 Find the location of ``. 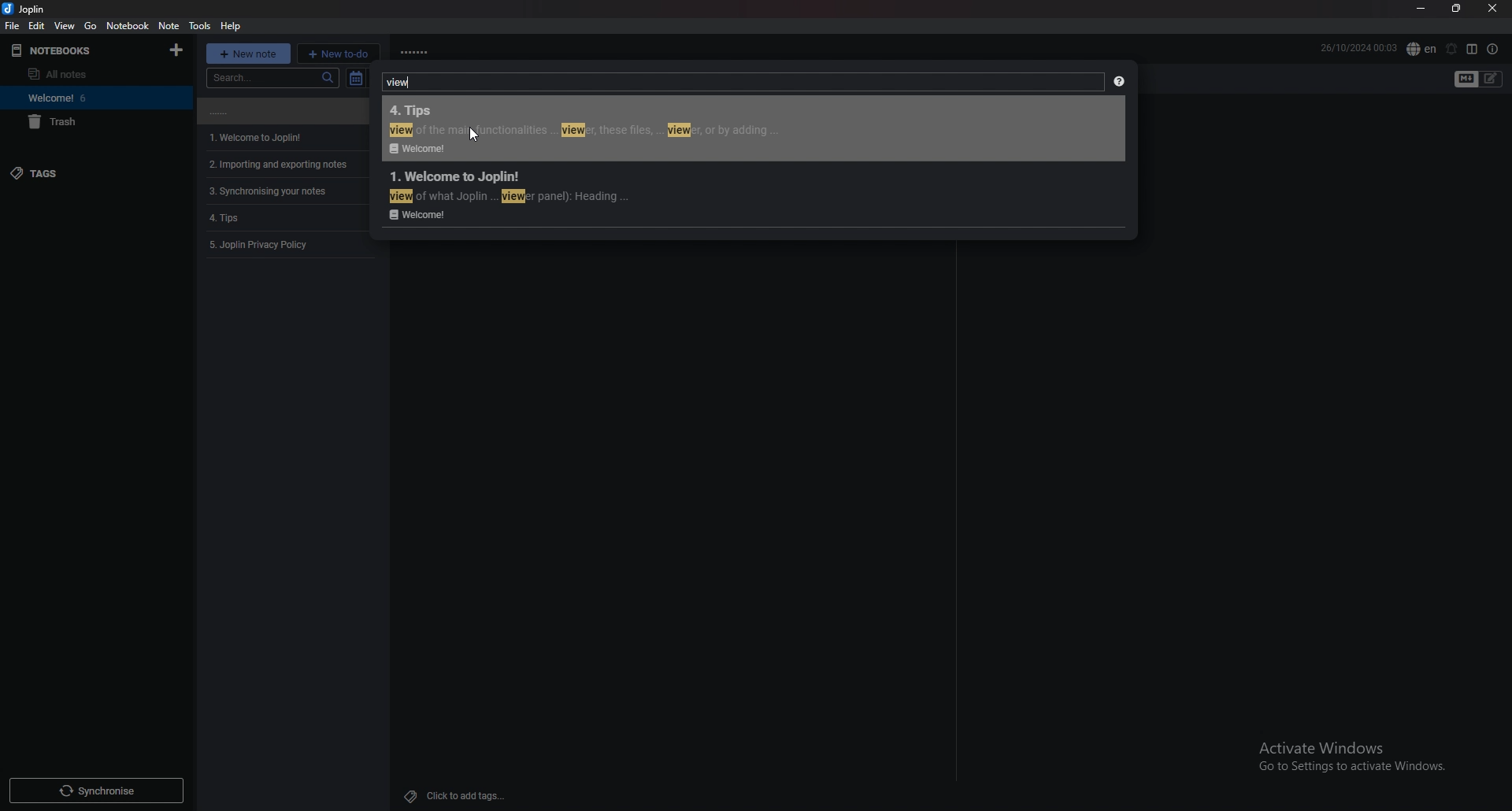

 is located at coordinates (739, 83).